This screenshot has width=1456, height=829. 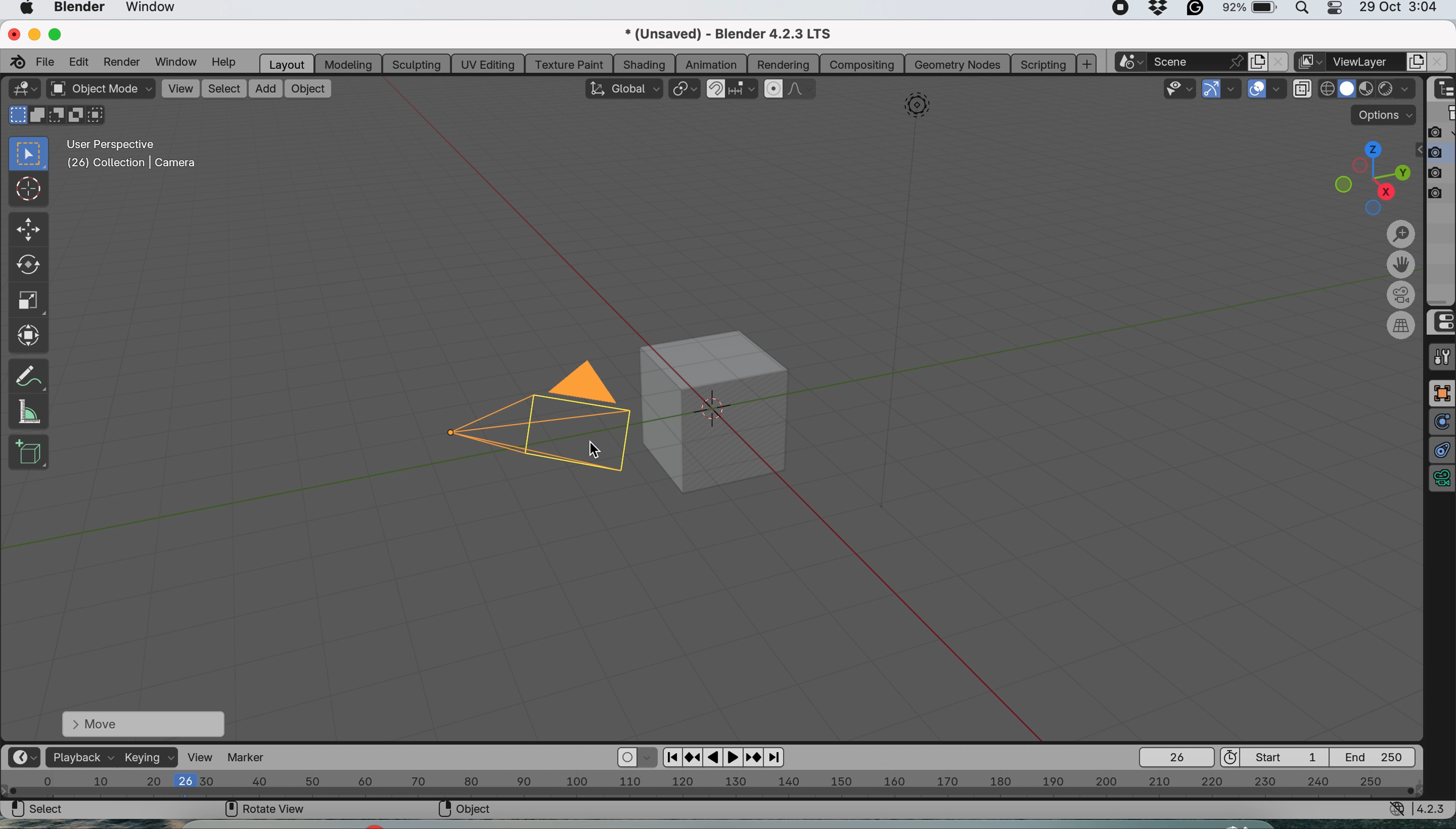 I want to click on proportional editing fallout, so click(x=803, y=89).